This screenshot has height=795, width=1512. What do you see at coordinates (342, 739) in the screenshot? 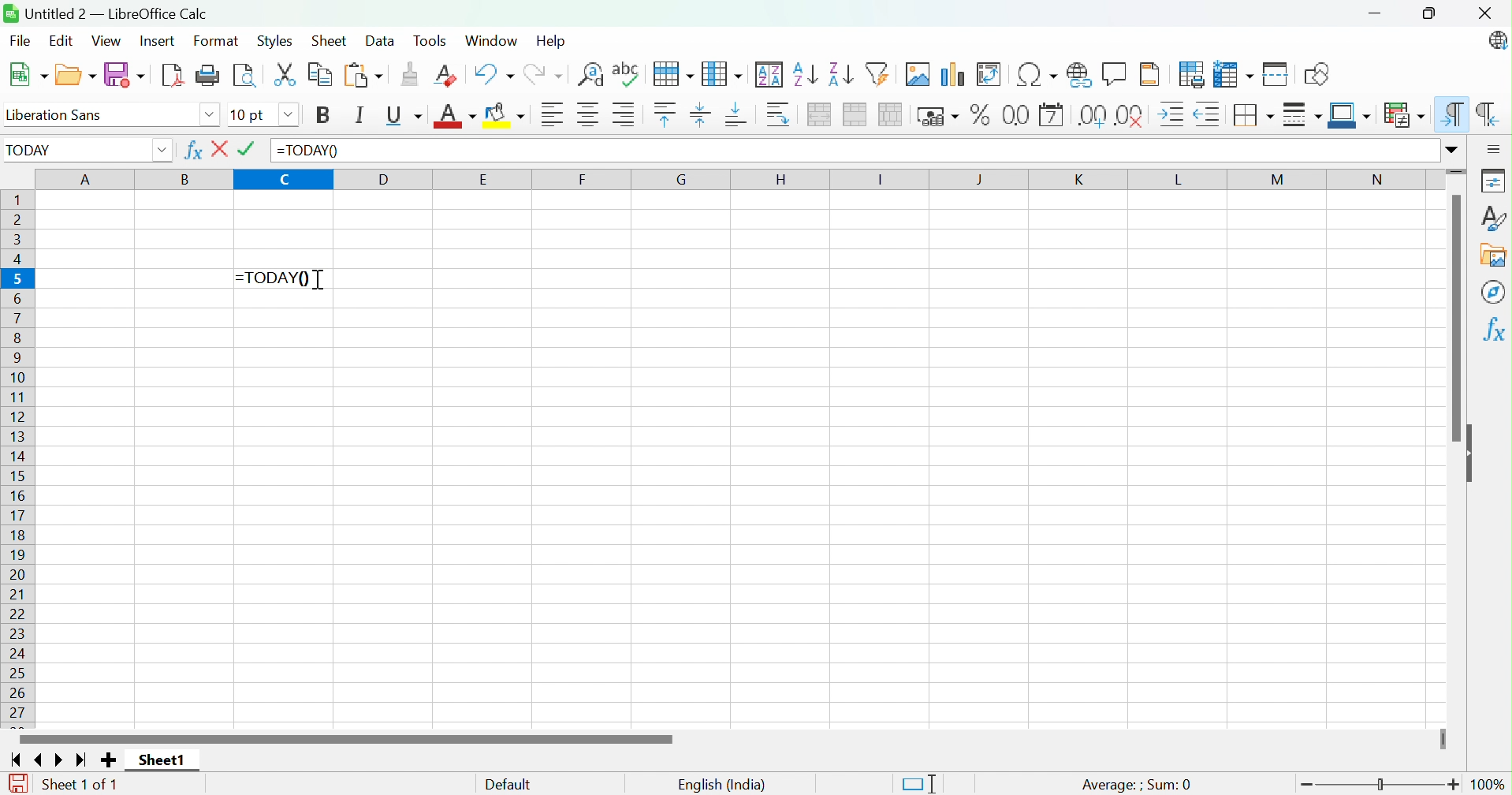
I see `Scroll bar` at bounding box center [342, 739].